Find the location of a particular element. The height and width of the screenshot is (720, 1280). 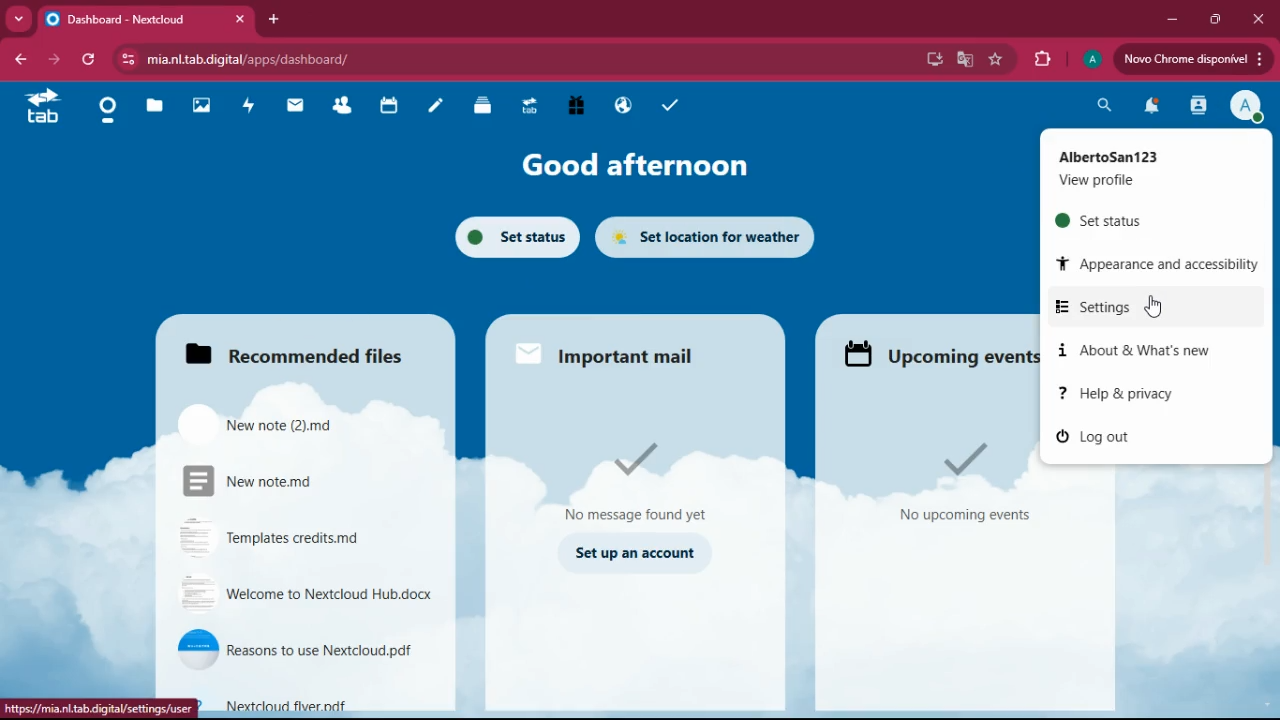

files is located at coordinates (484, 108).